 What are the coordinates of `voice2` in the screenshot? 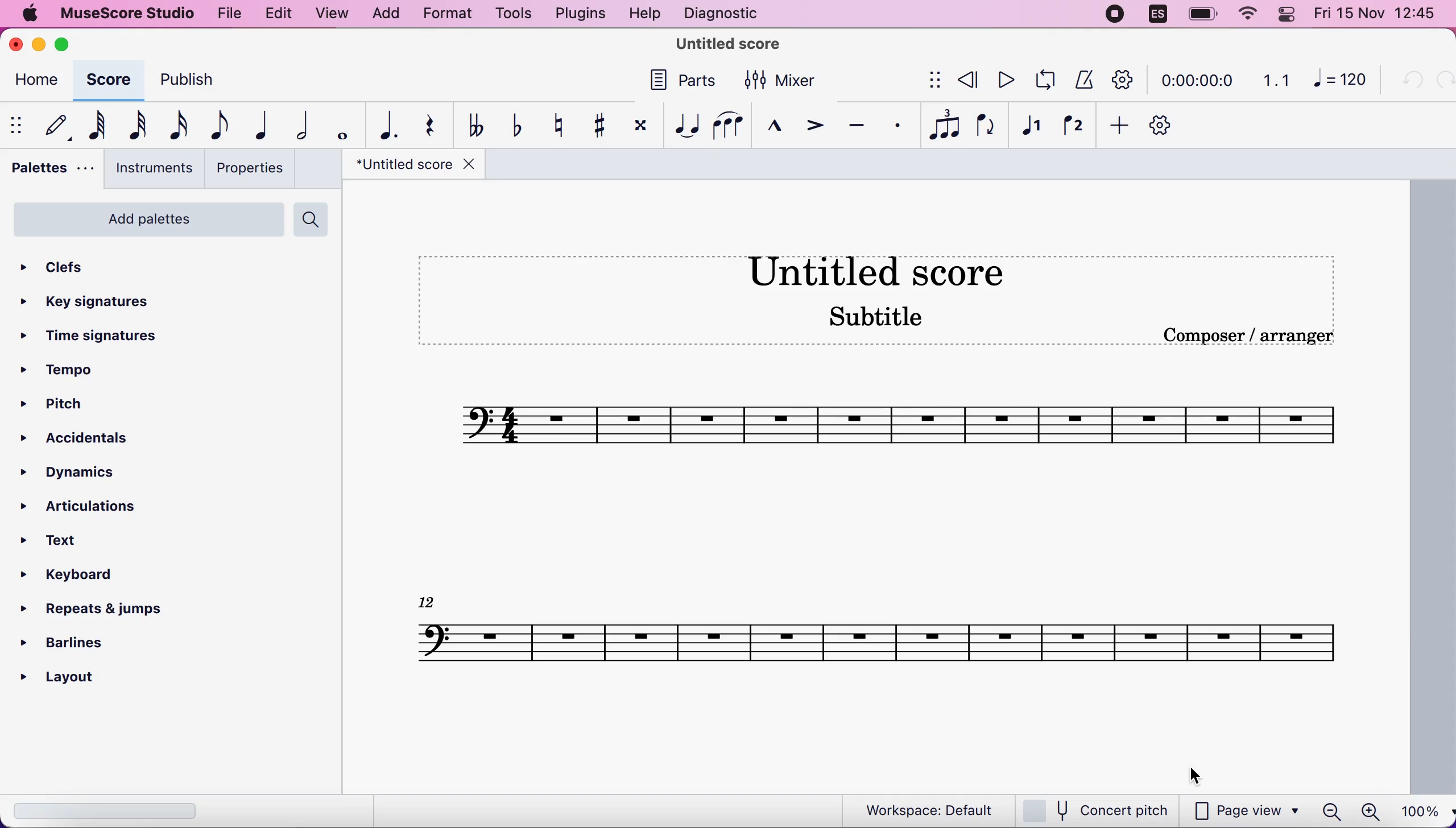 It's located at (1072, 123).